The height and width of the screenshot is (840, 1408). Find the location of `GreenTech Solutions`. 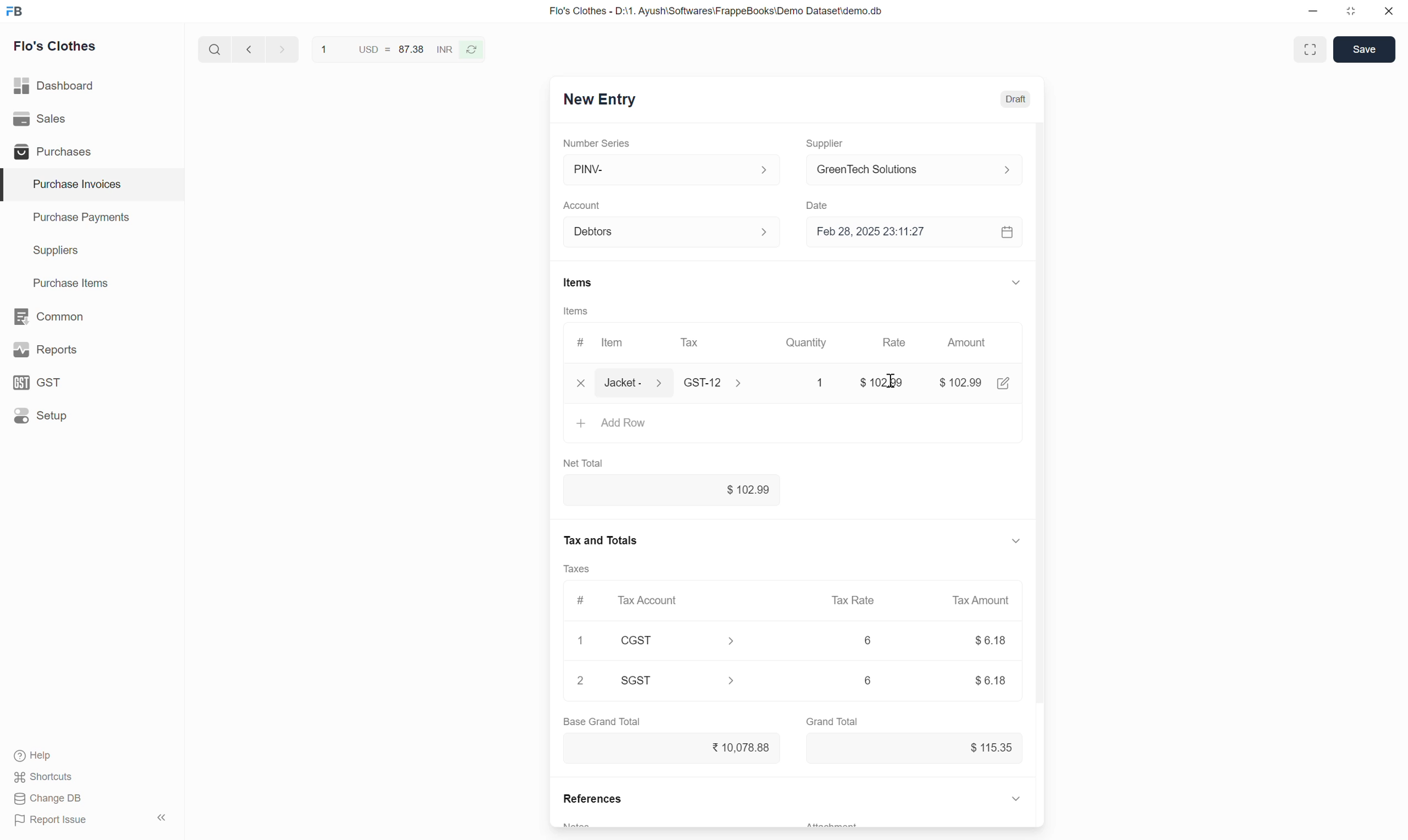

GreenTech Solutions is located at coordinates (920, 170).